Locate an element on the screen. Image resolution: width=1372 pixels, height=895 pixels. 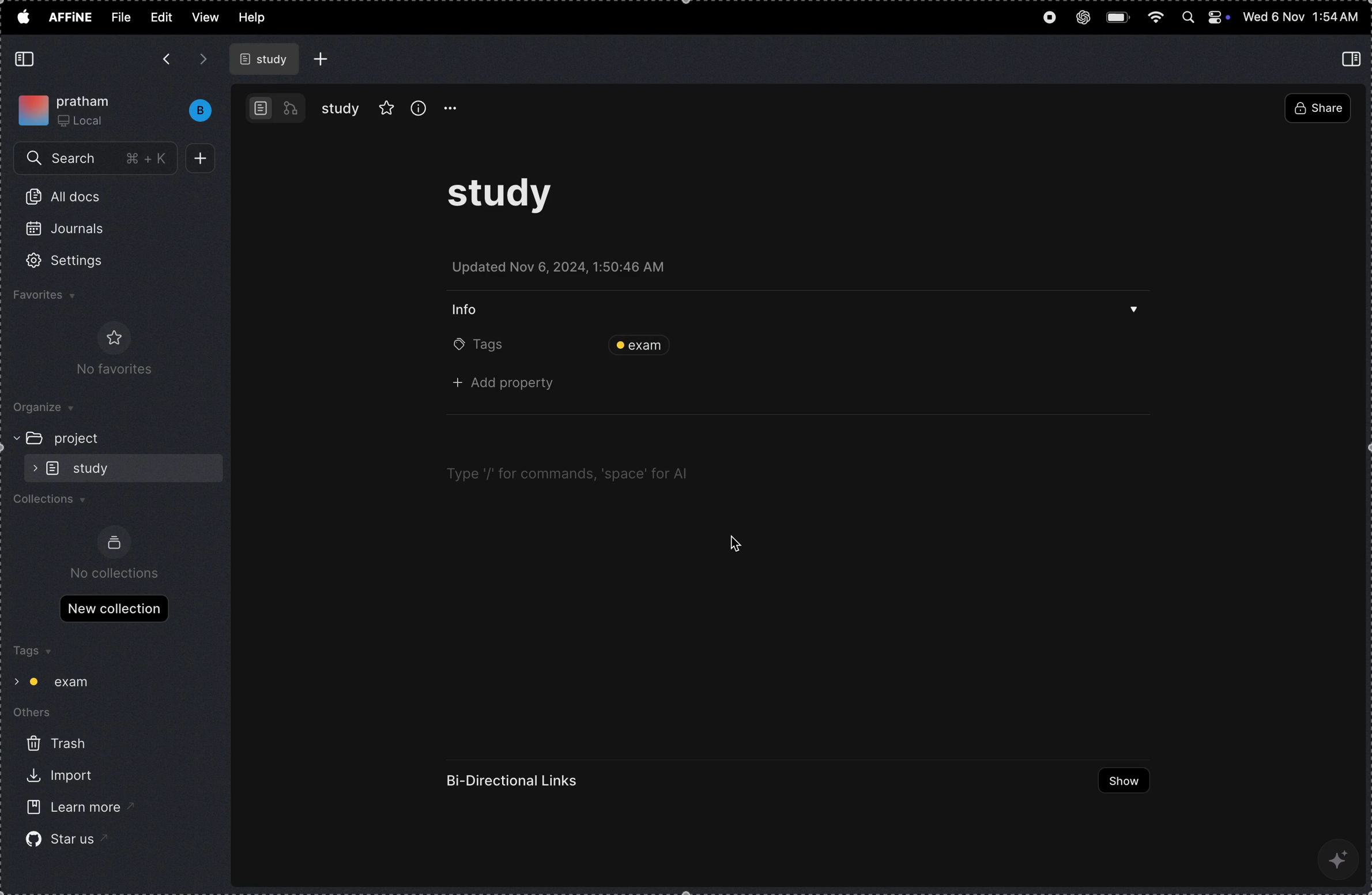
file is located at coordinates (121, 17).